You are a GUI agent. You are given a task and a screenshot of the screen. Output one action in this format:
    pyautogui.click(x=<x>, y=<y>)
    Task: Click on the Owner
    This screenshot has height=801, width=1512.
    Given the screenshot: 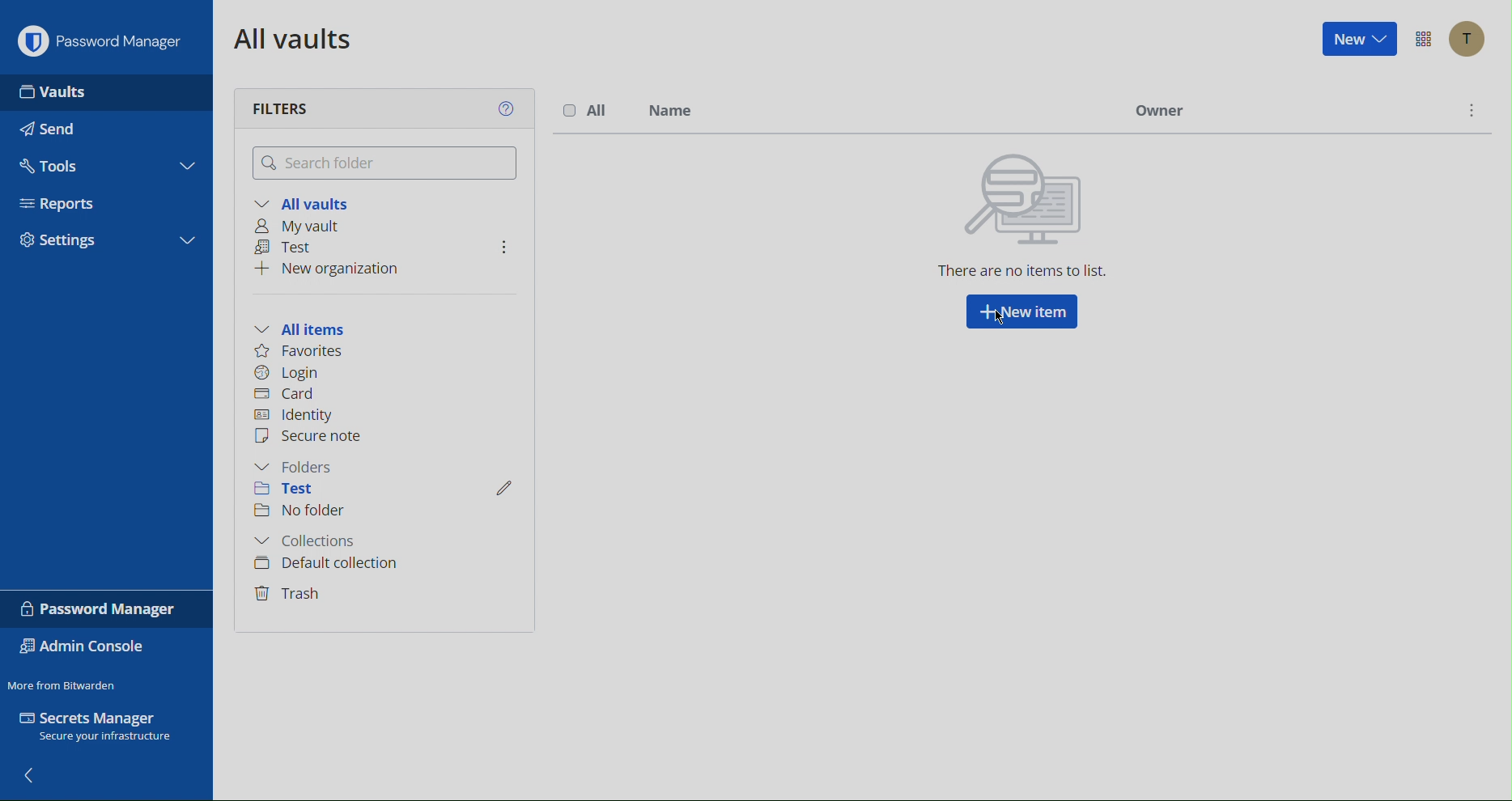 What is the action you would take?
    pyautogui.click(x=1160, y=110)
    